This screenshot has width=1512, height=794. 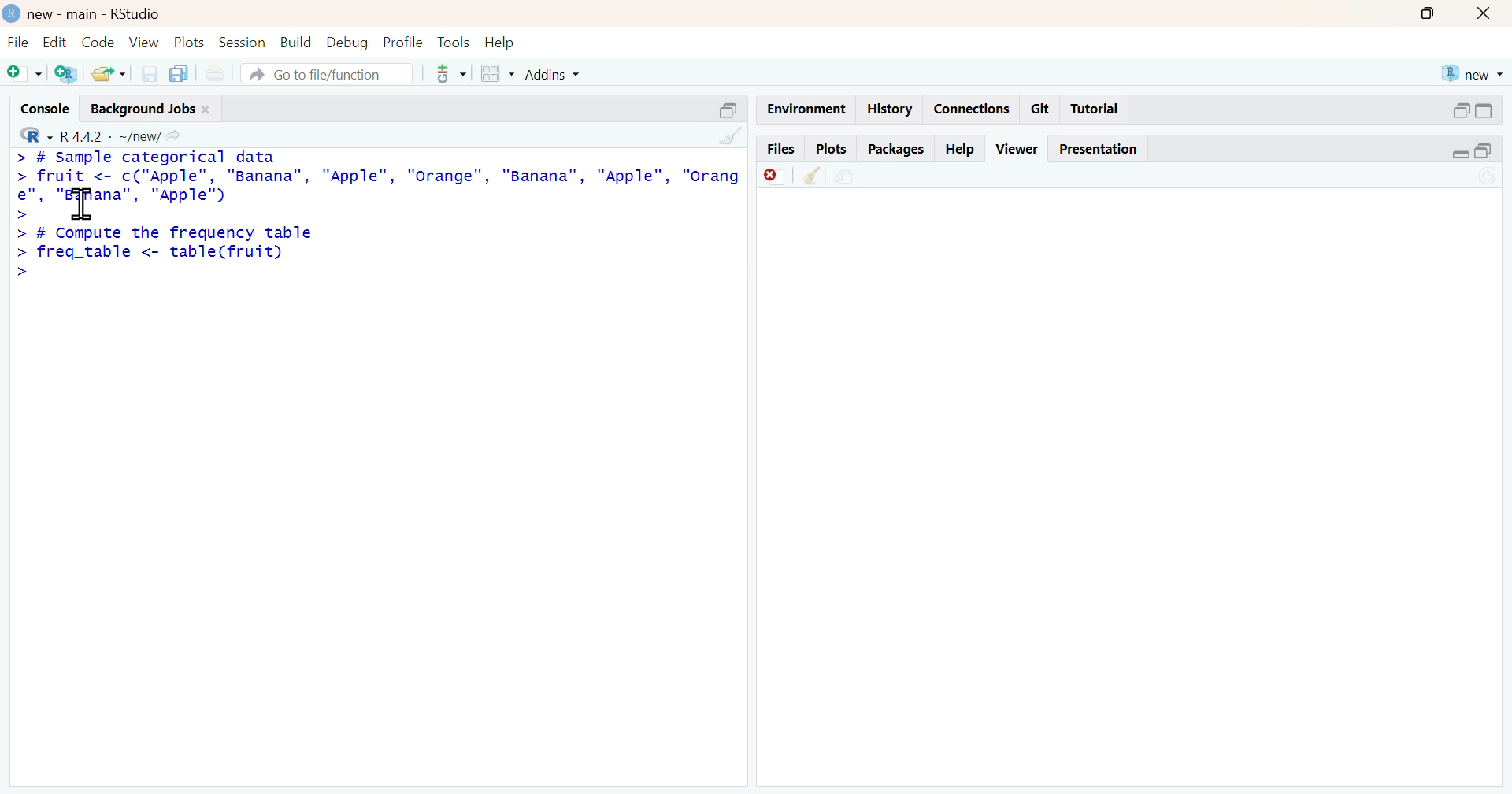 What do you see at coordinates (1487, 113) in the screenshot?
I see `collapse` at bounding box center [1487, 113].